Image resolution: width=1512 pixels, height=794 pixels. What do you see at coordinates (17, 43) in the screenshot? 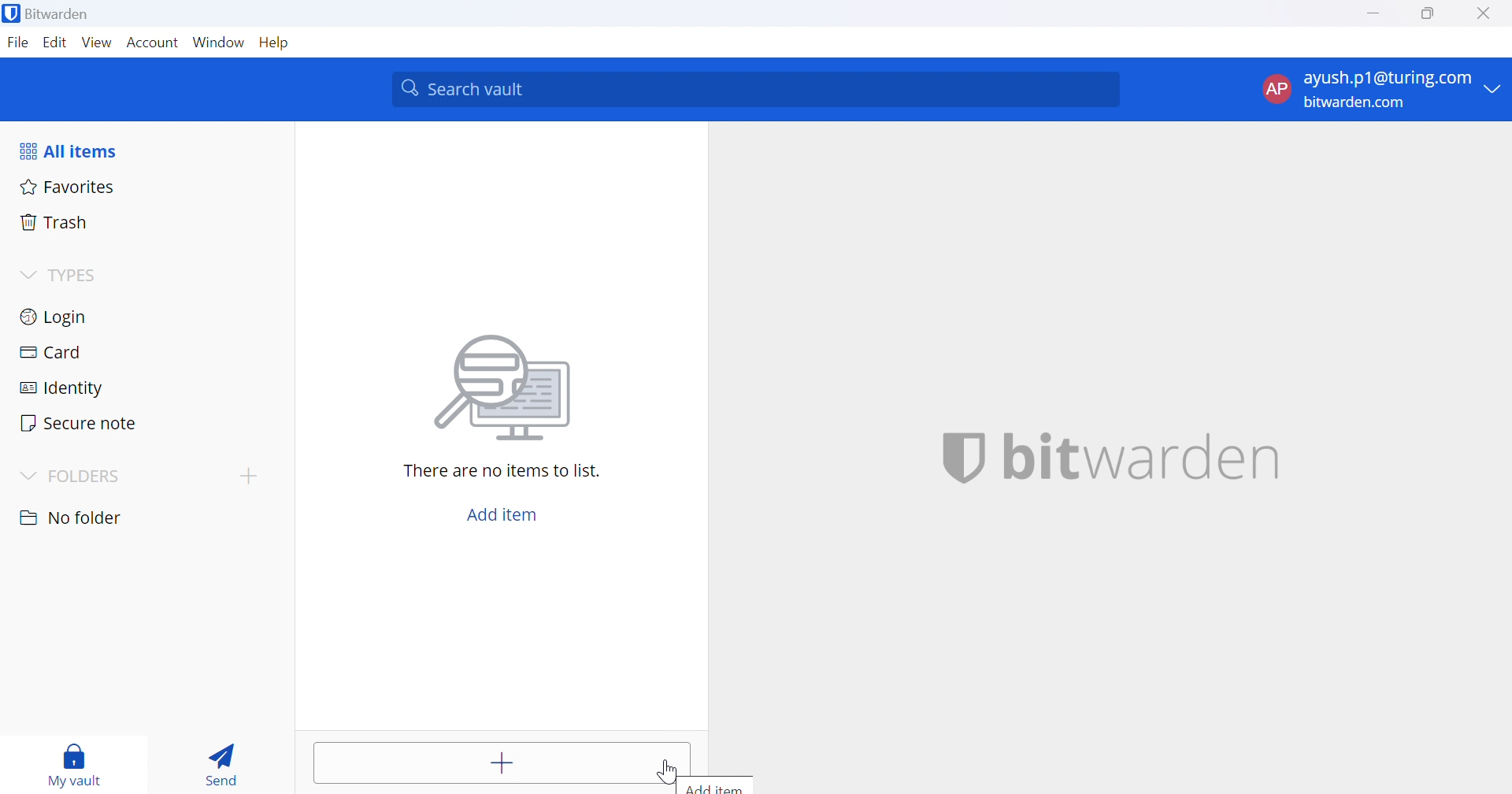
I see `File` at bounding box center [17, 43].